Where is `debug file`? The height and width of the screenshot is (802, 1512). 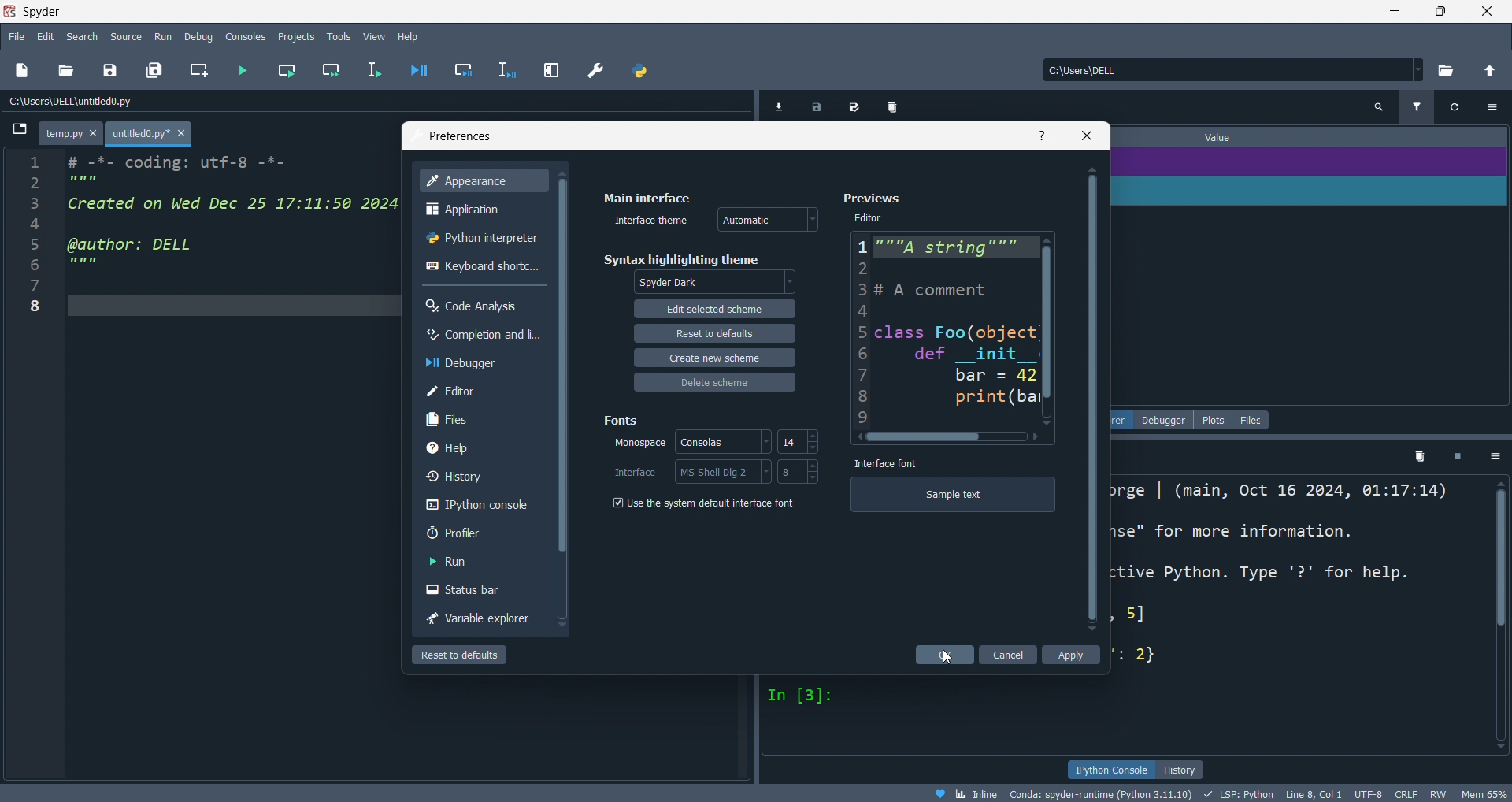 debug file is located at coordinates (422, 71).